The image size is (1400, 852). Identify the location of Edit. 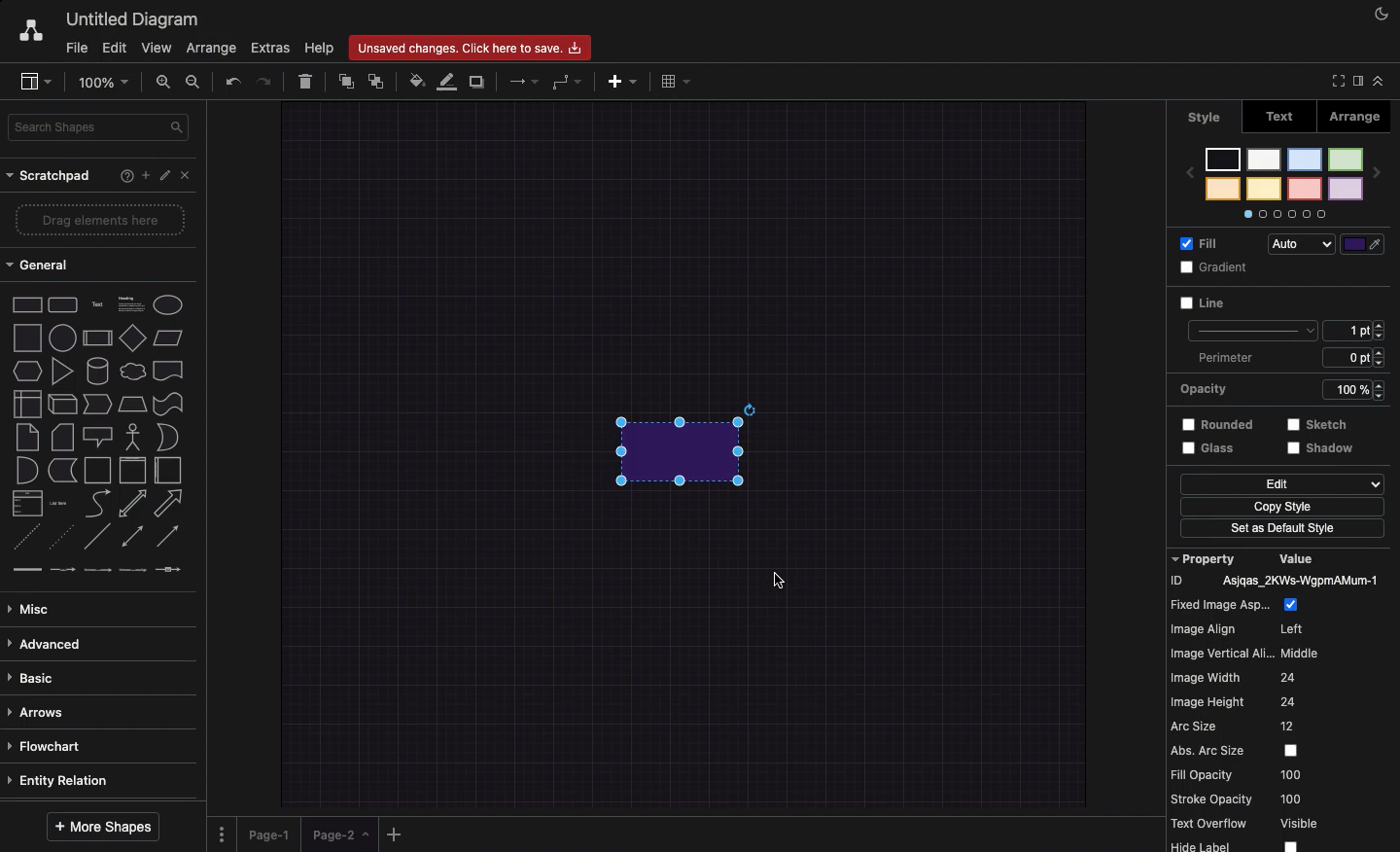
(1281, 484).